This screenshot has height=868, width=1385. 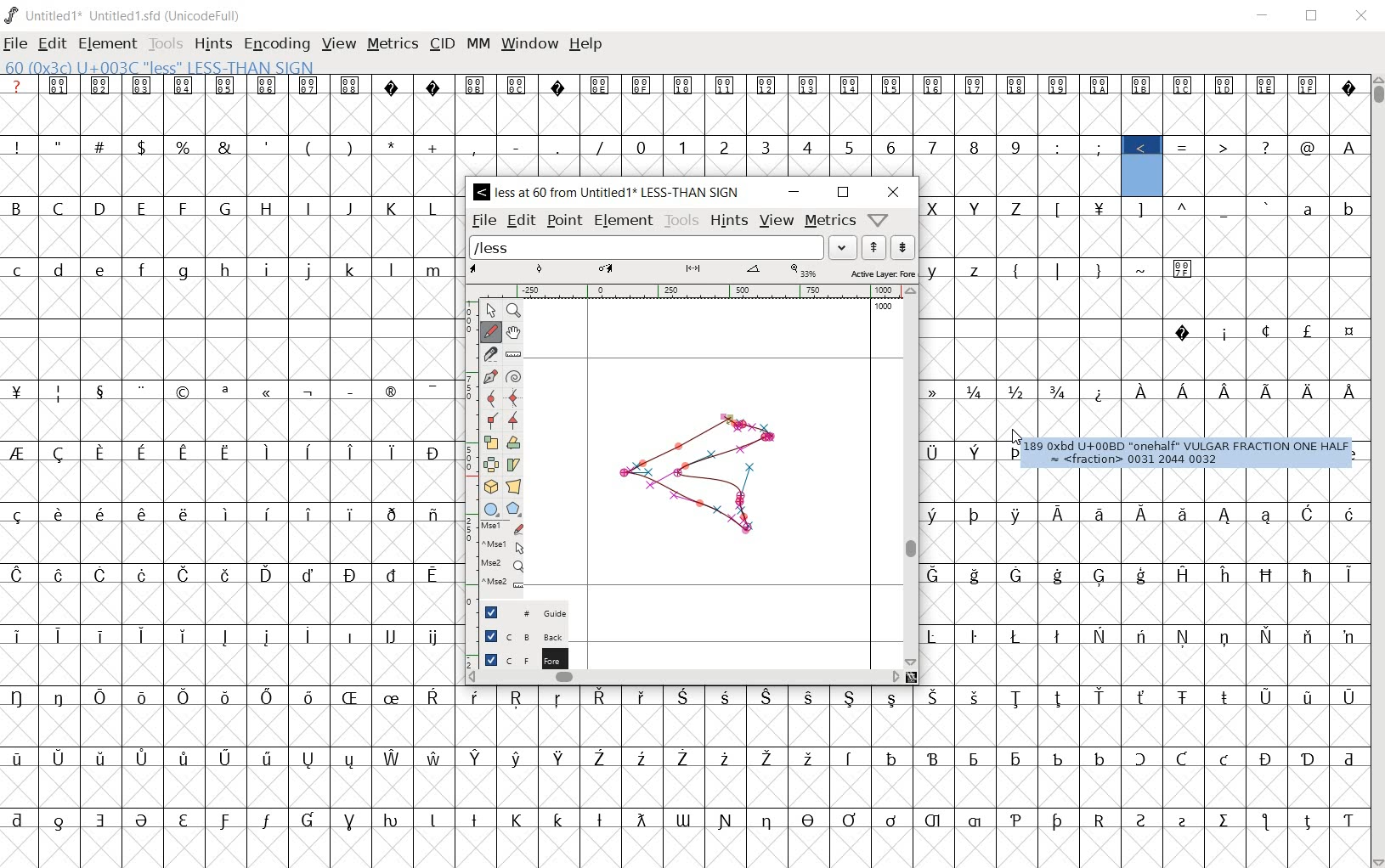 What do you see at coordinates (229, 667) in the screenshot?
I see `empty cells` at bounding box center [229, 667].